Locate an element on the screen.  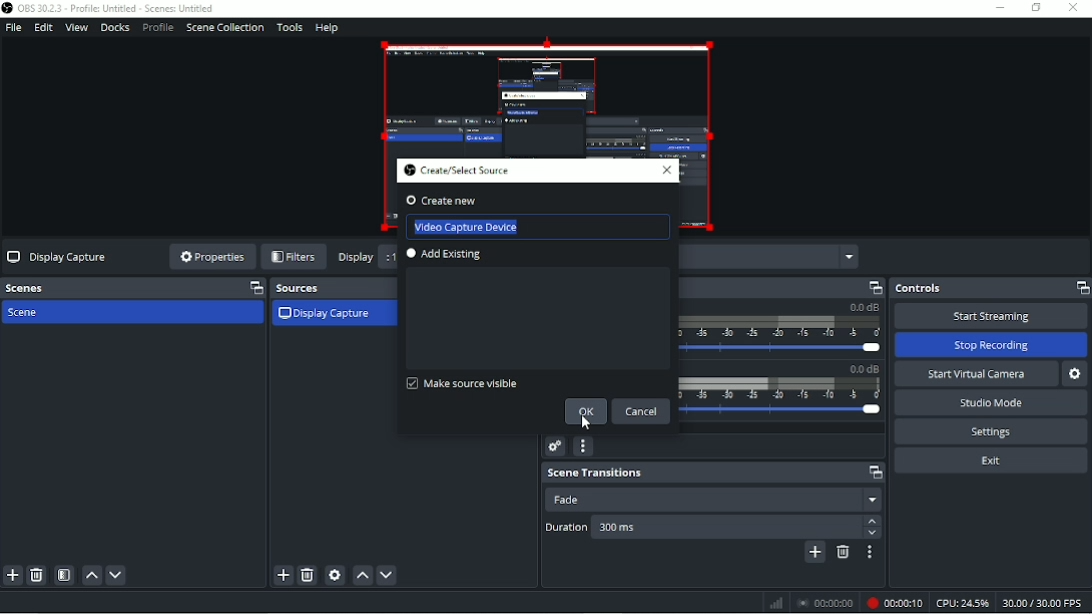
Exit is located at coordinates (991, 460).